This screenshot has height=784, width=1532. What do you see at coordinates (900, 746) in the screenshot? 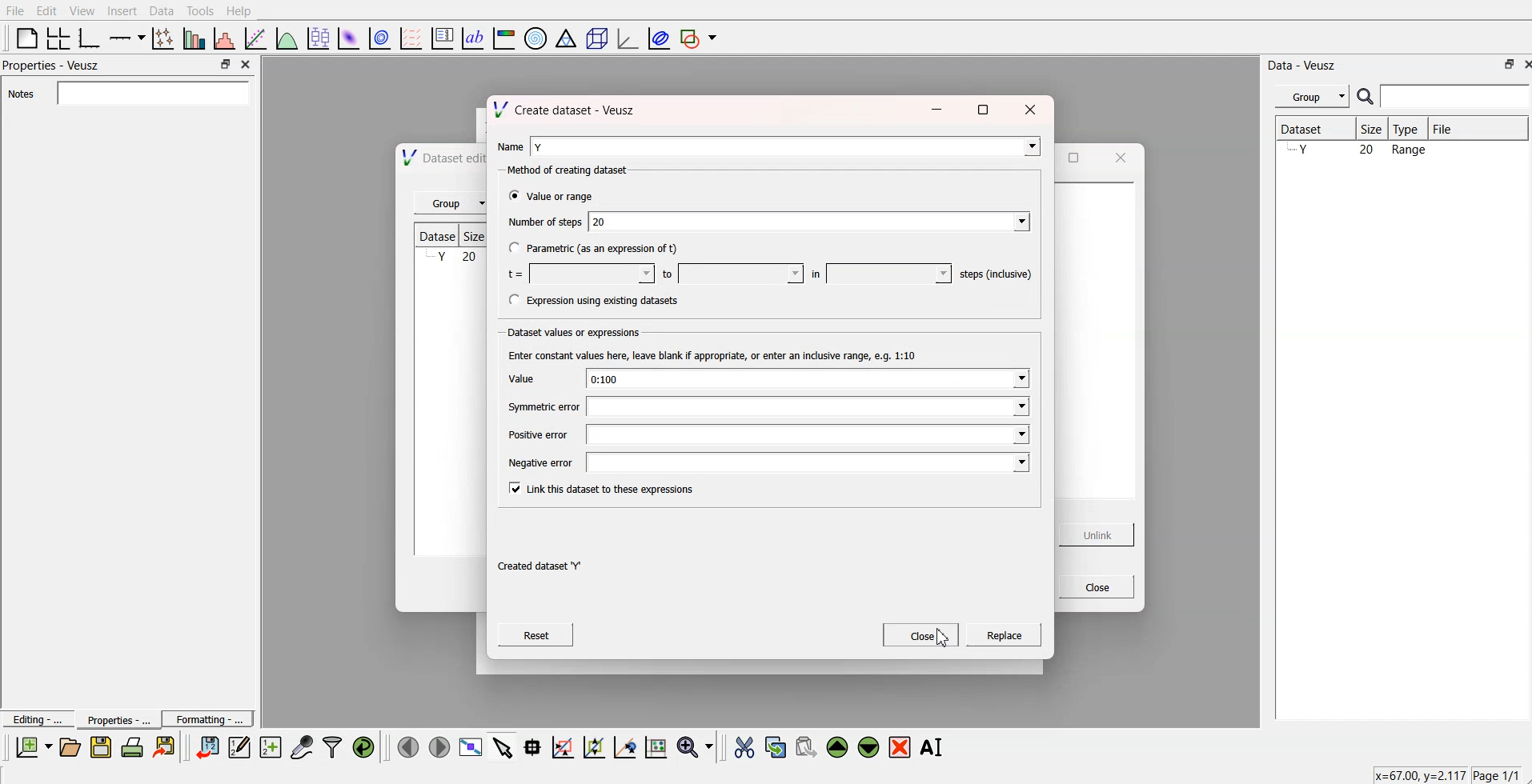
I see `remove widget` at bounding box center [900, 746].